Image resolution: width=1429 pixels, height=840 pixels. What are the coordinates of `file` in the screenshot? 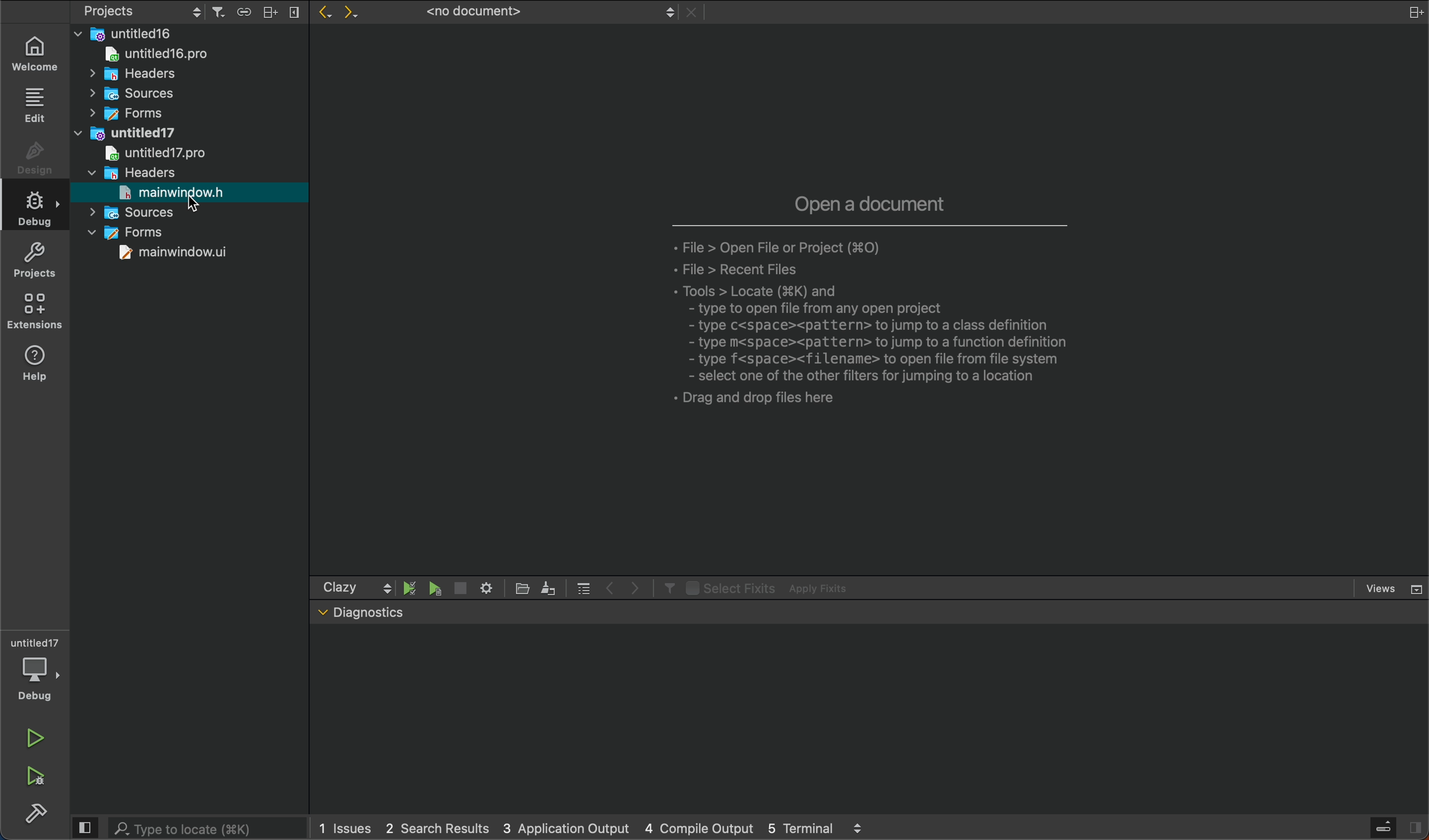 It's located at (525, 588).